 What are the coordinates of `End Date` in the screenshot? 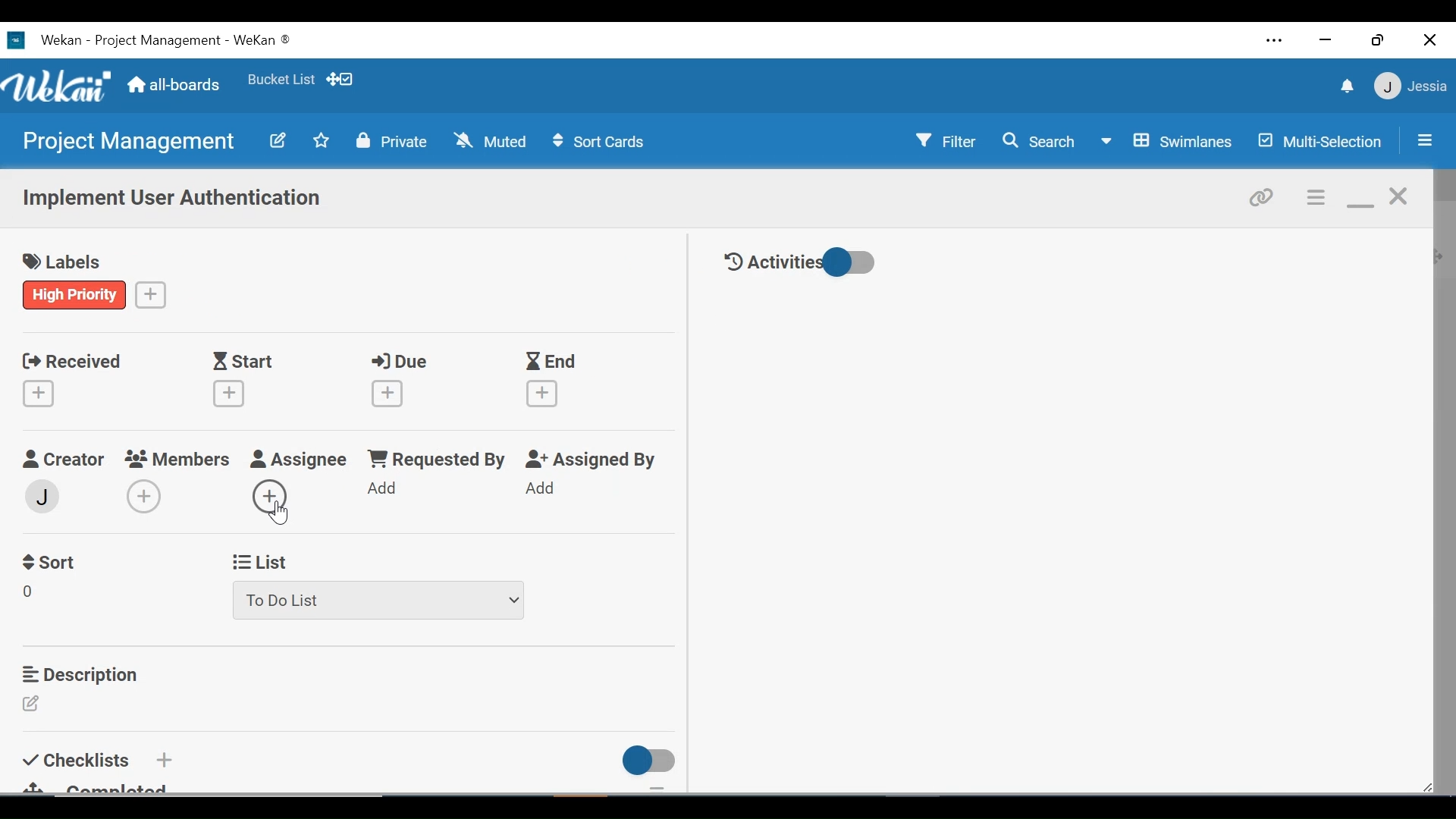 It's located at (554, 362).